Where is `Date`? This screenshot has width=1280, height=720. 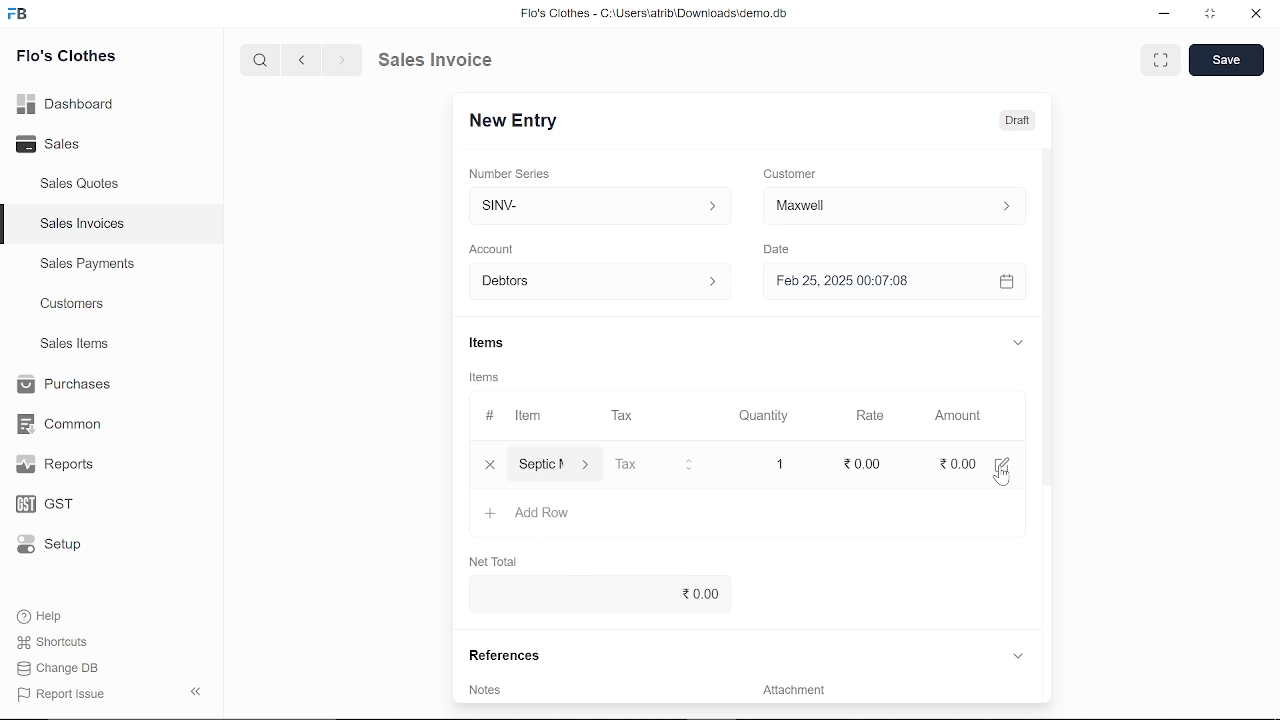 Date is located at coordinates (780, 249).